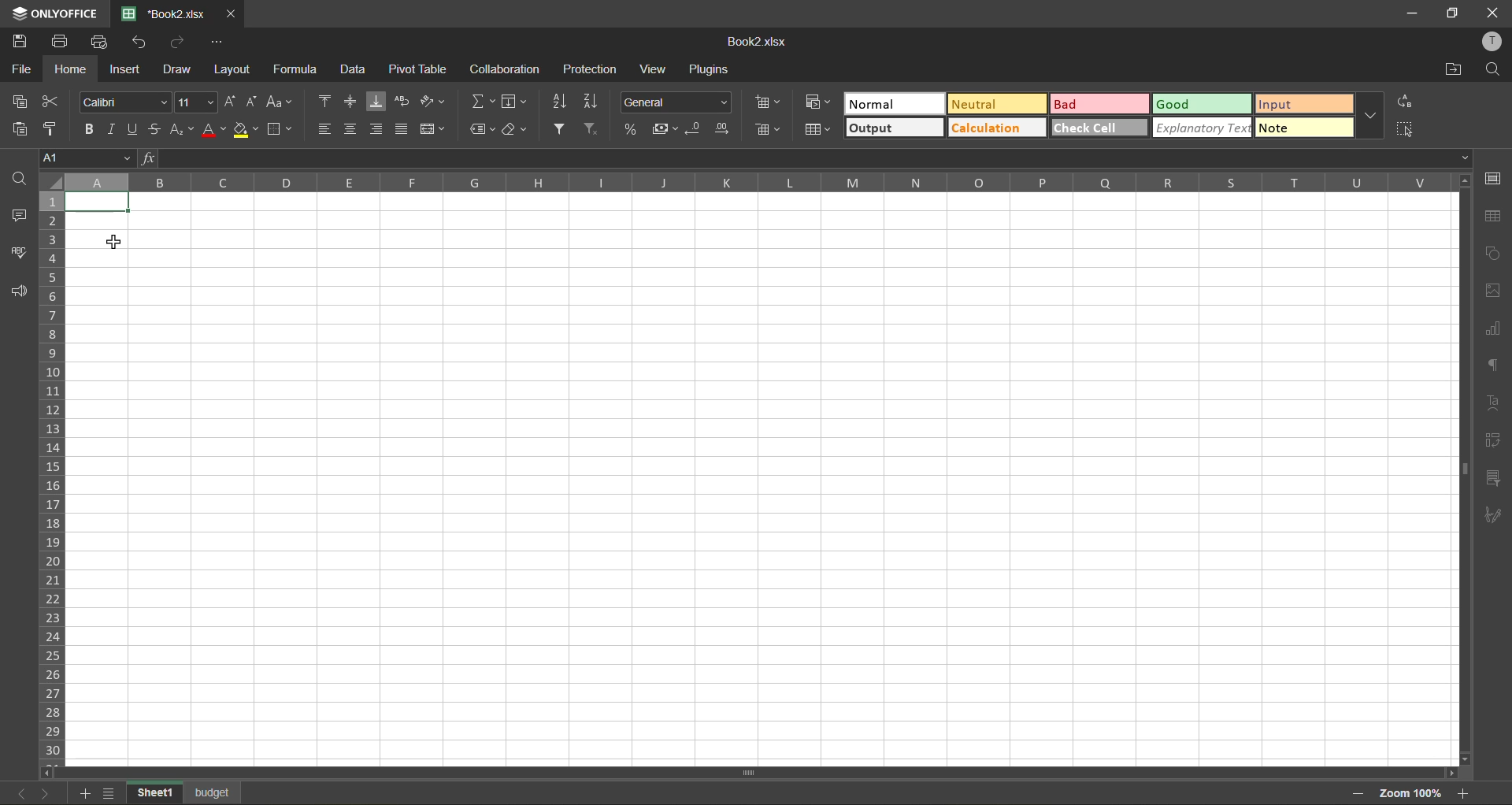  What do you see at coordinates (295, 69) in the screenshot?
I see `formula` at bounding box center [295, 69].